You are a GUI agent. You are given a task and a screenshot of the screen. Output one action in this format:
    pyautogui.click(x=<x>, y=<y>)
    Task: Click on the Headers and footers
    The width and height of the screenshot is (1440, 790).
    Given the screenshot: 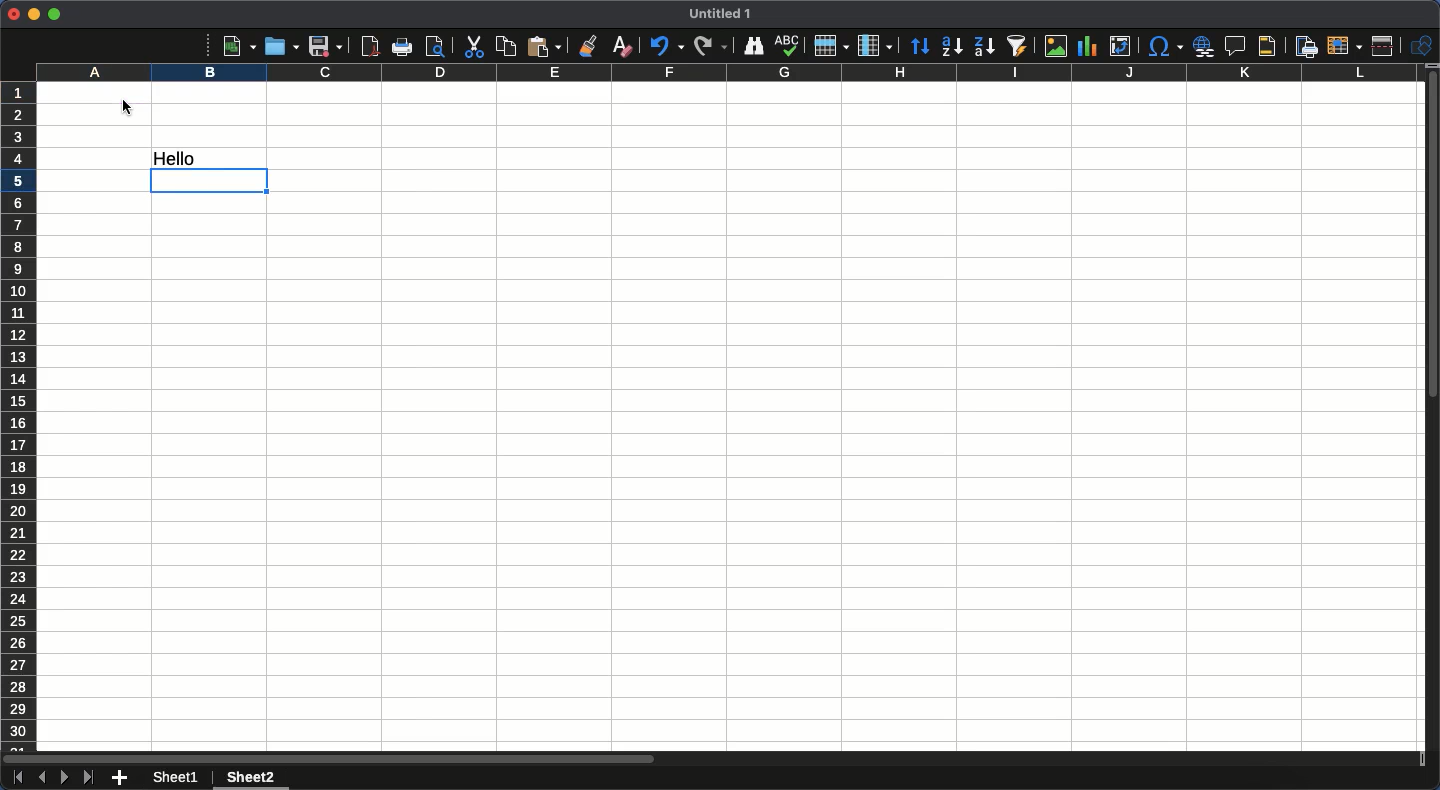 What is the action you would take?
    pyautogui.click(x=1265, y=47)
    